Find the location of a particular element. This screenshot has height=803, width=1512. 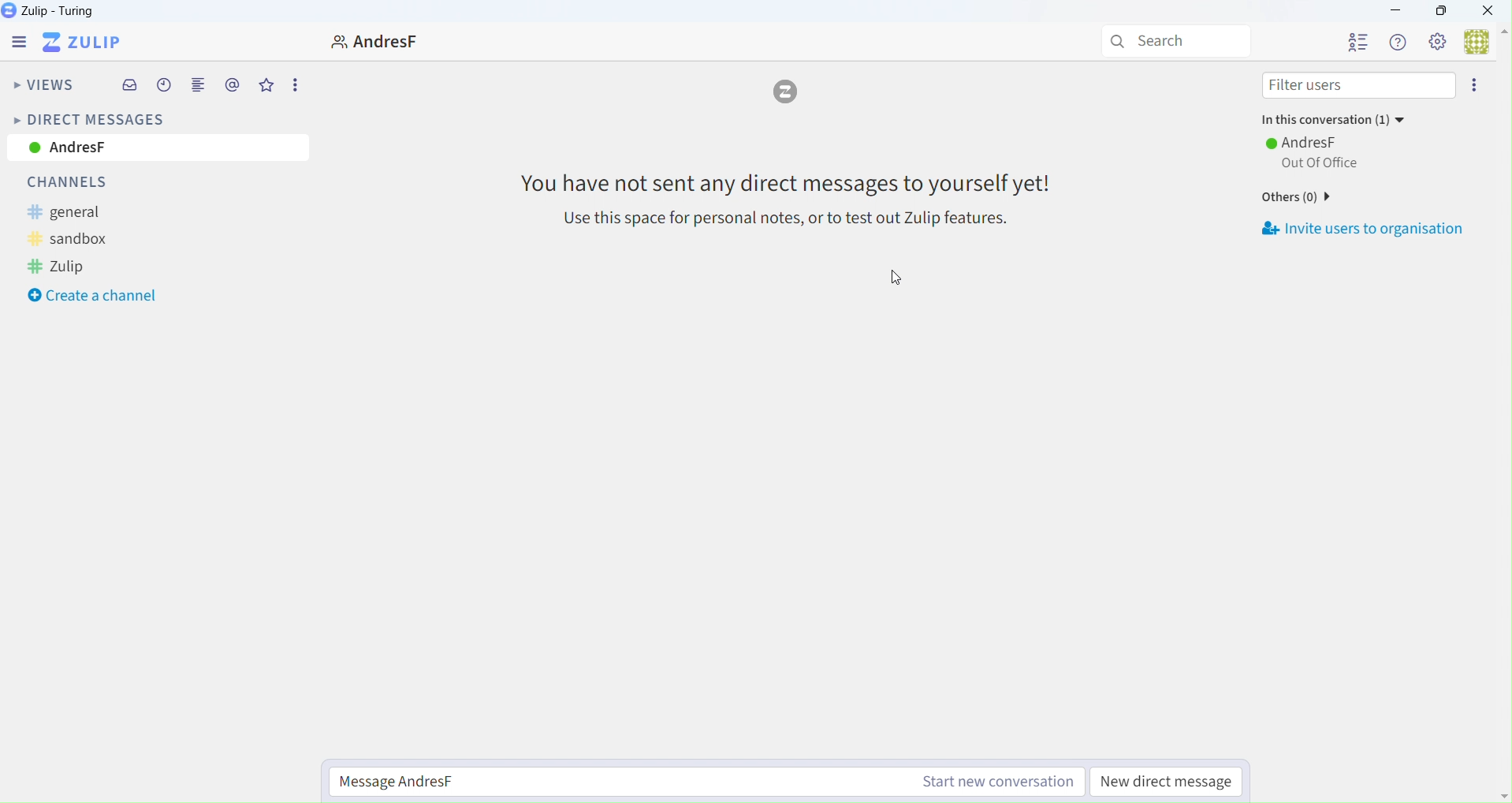

Channels is located at coordinates (79, 182).